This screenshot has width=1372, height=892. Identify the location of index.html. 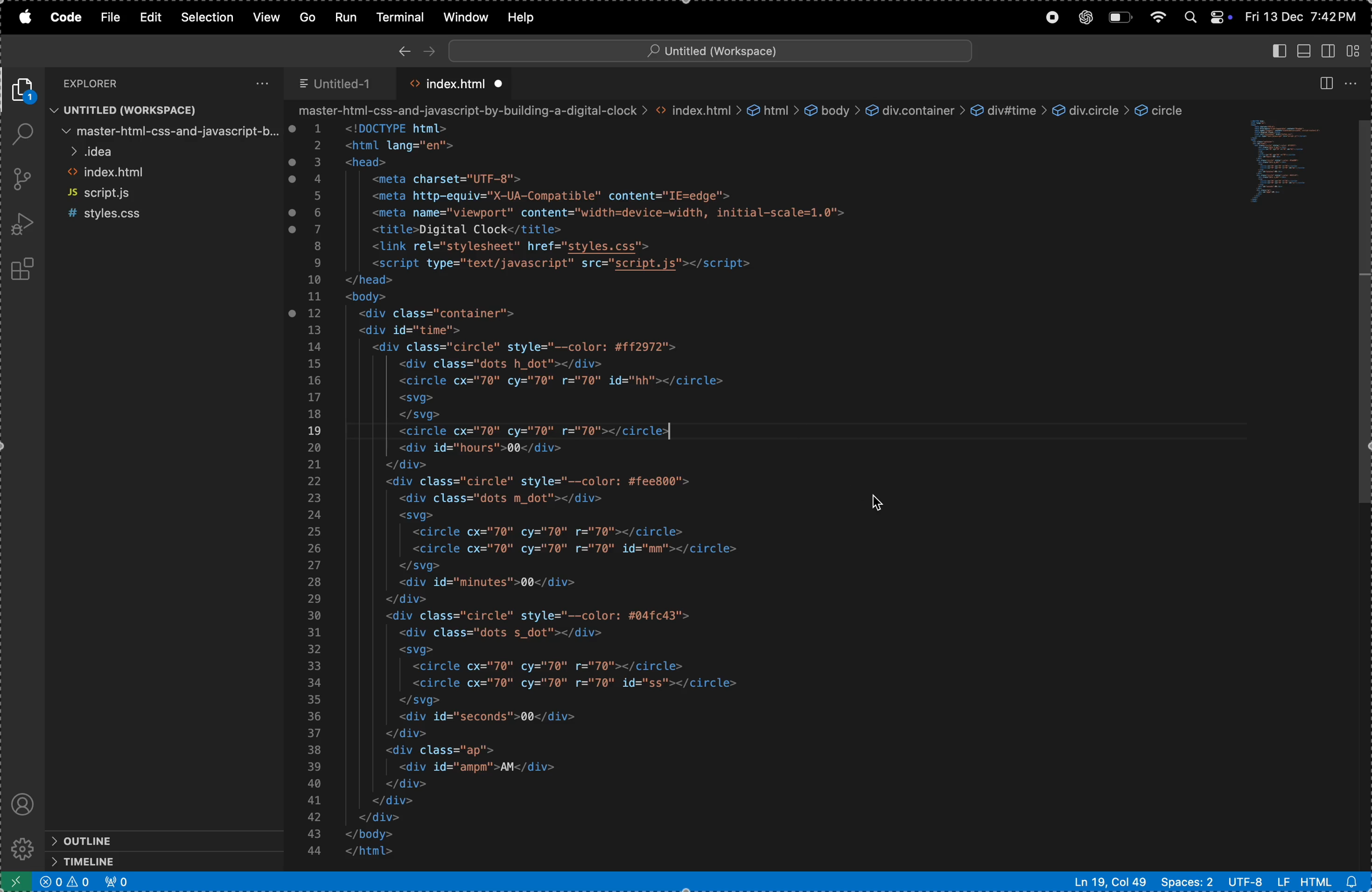
(164, 175).